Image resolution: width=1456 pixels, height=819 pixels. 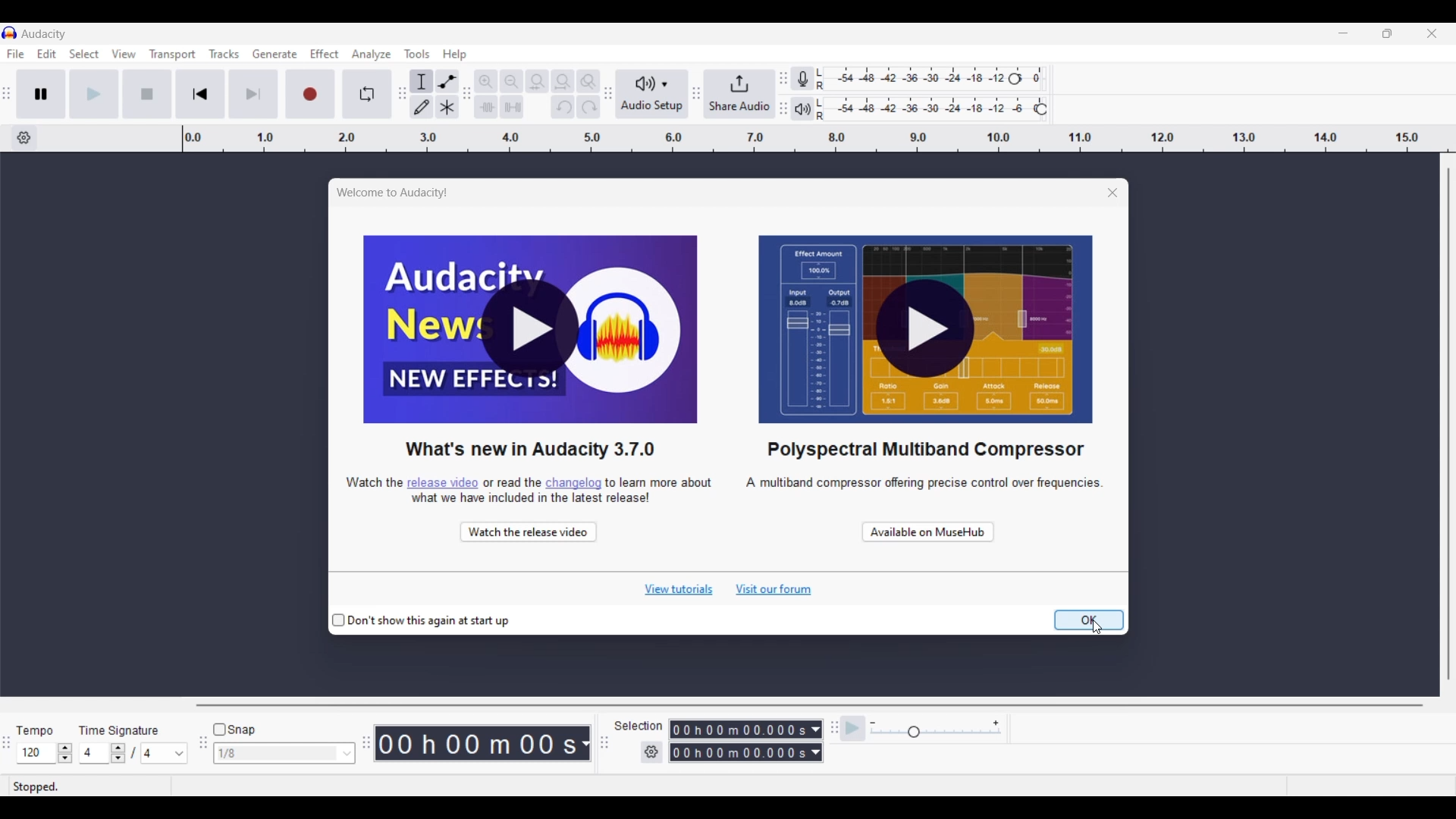 What do you see at coordinates (253, 94) in the screenshot?
I see `Skip/Select to end` at bounding box center [253, 94].